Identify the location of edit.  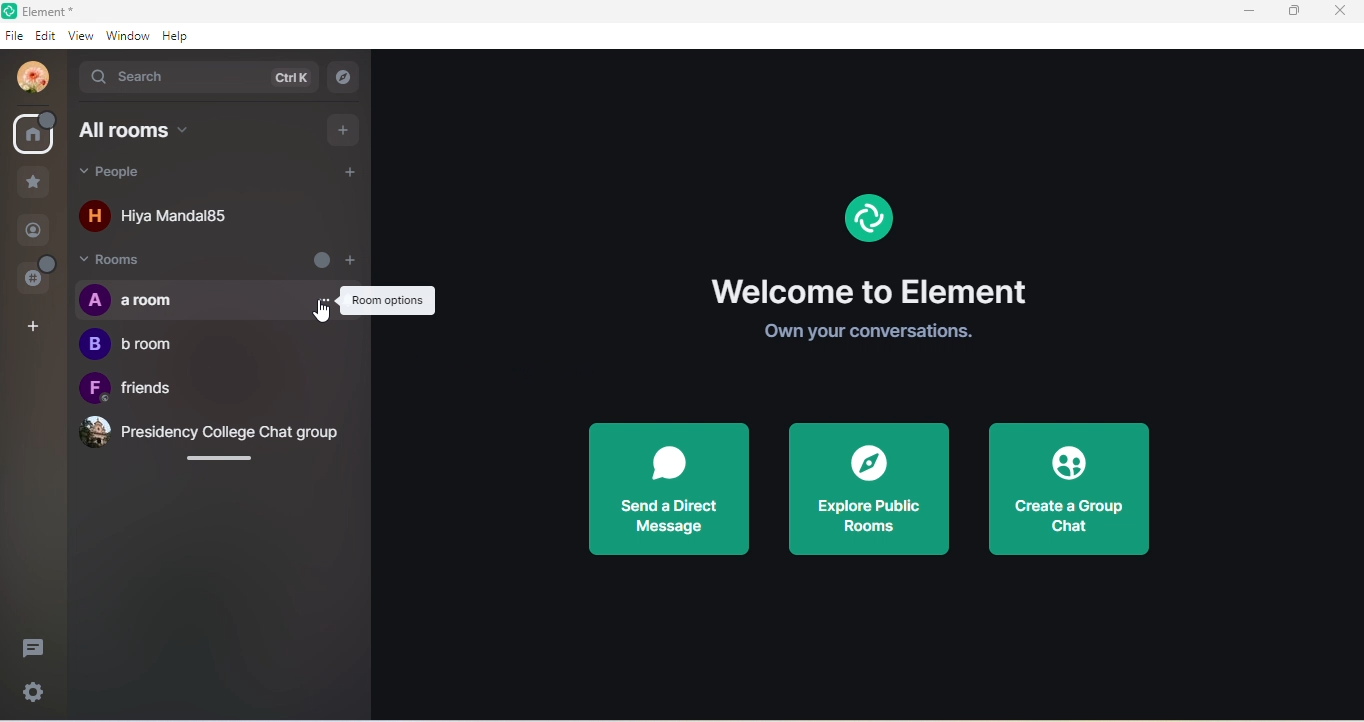
(46, 38).